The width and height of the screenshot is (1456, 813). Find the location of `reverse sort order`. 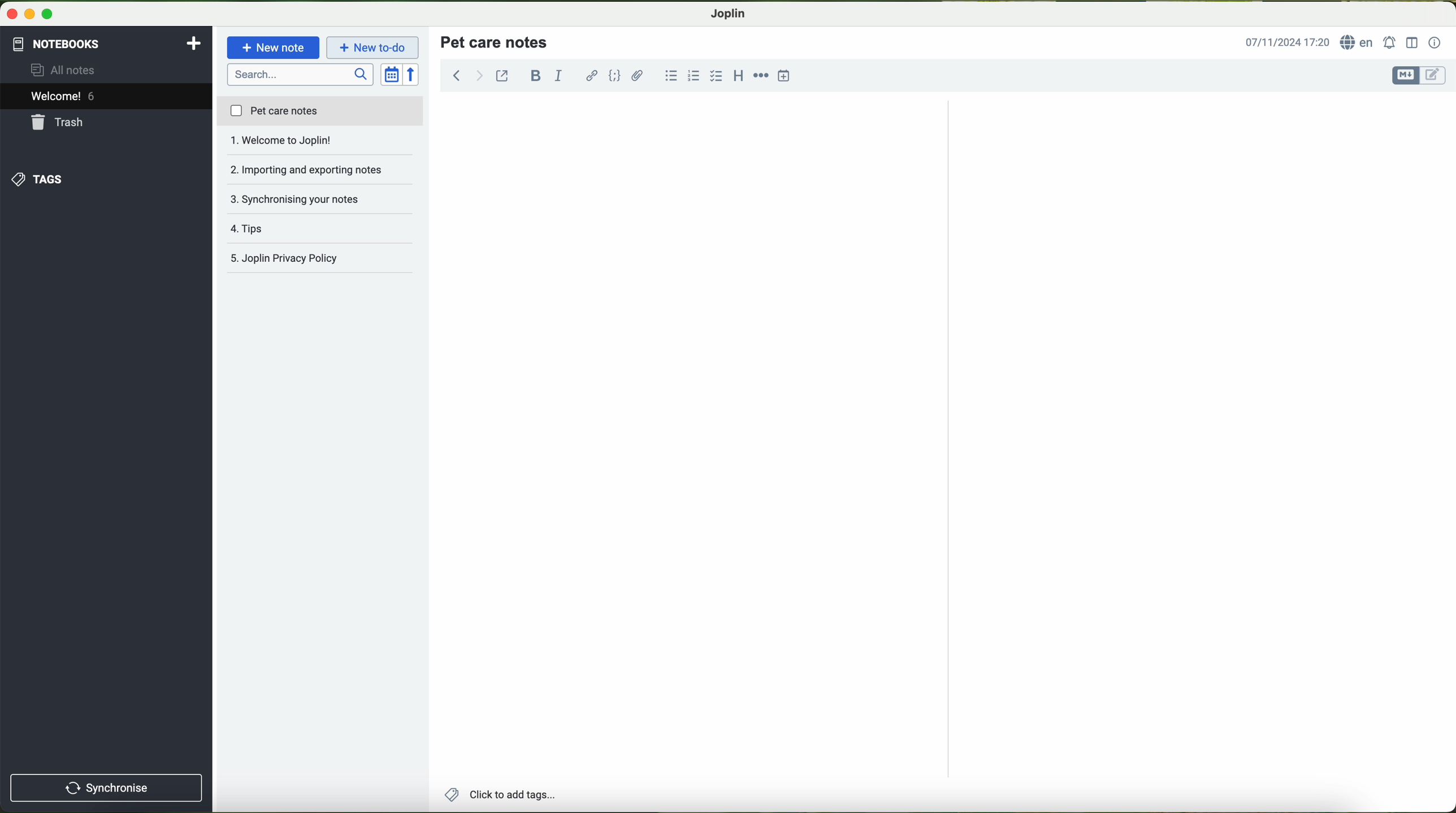

reverse sort order is located at coordinates (414, 75).